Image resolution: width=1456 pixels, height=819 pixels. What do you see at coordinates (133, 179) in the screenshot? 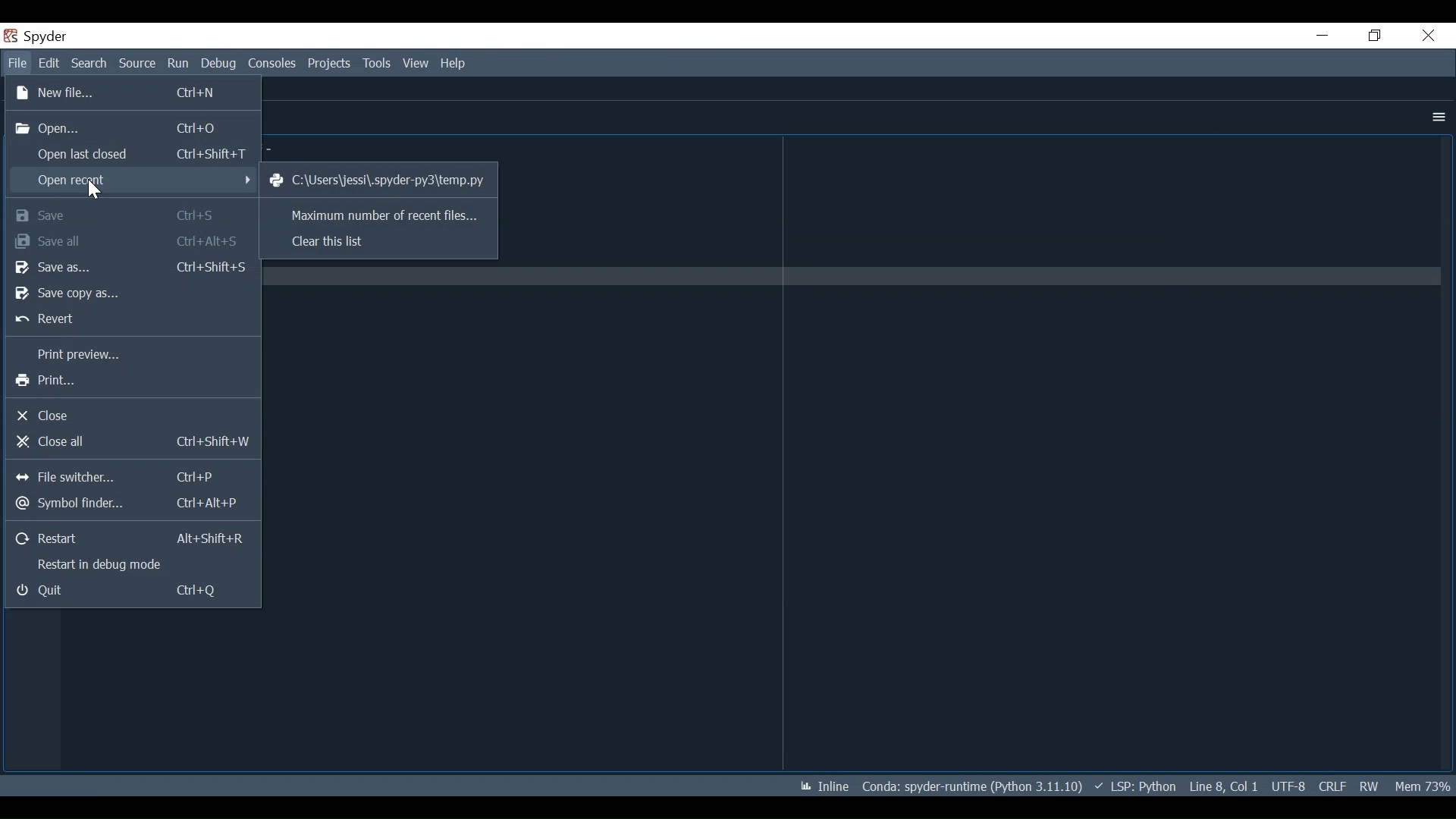
I see `Open Recent` at bounding box center [133, 179].